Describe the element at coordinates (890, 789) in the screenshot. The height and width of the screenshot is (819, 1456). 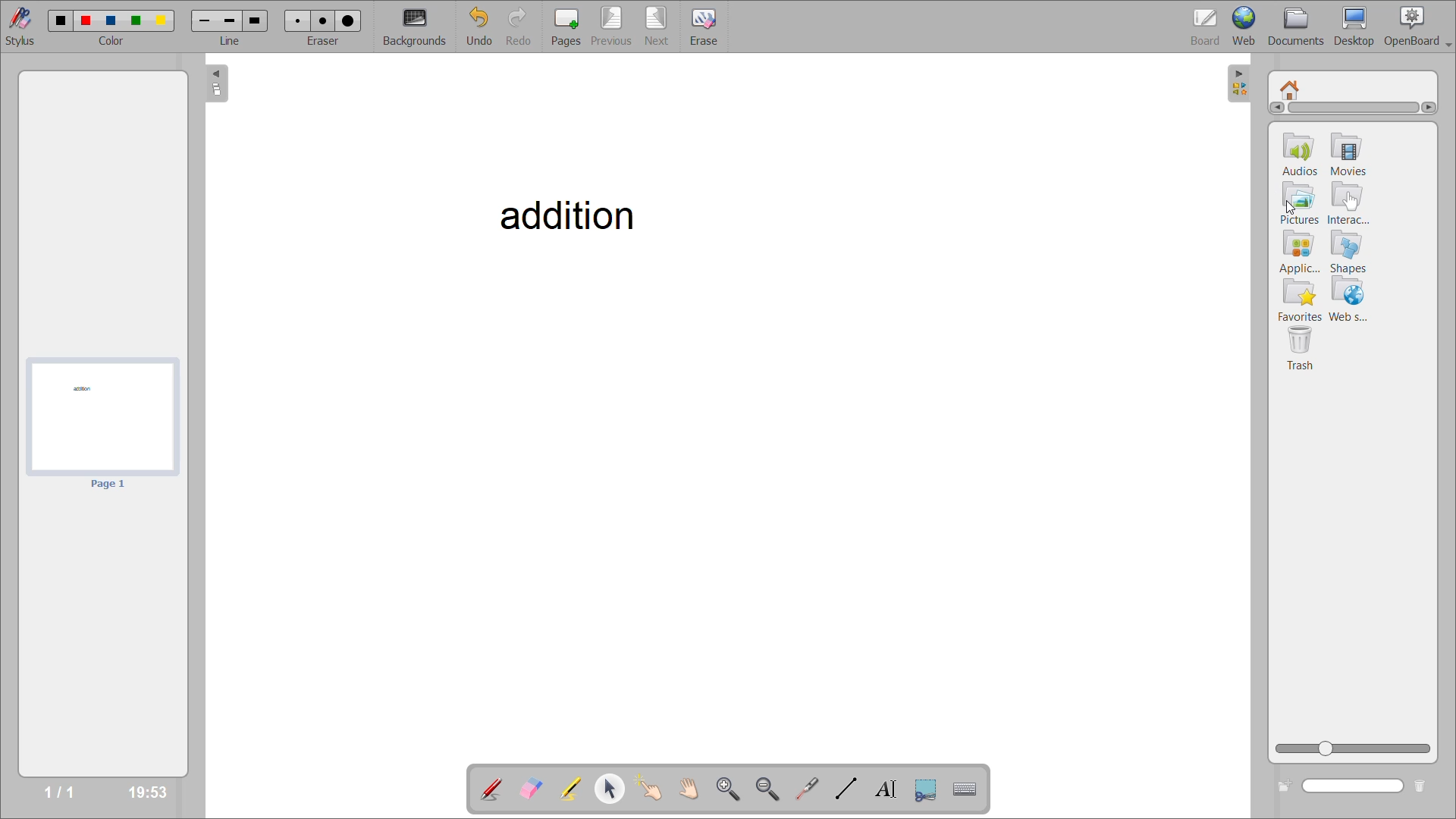
I see `write text` at that location.